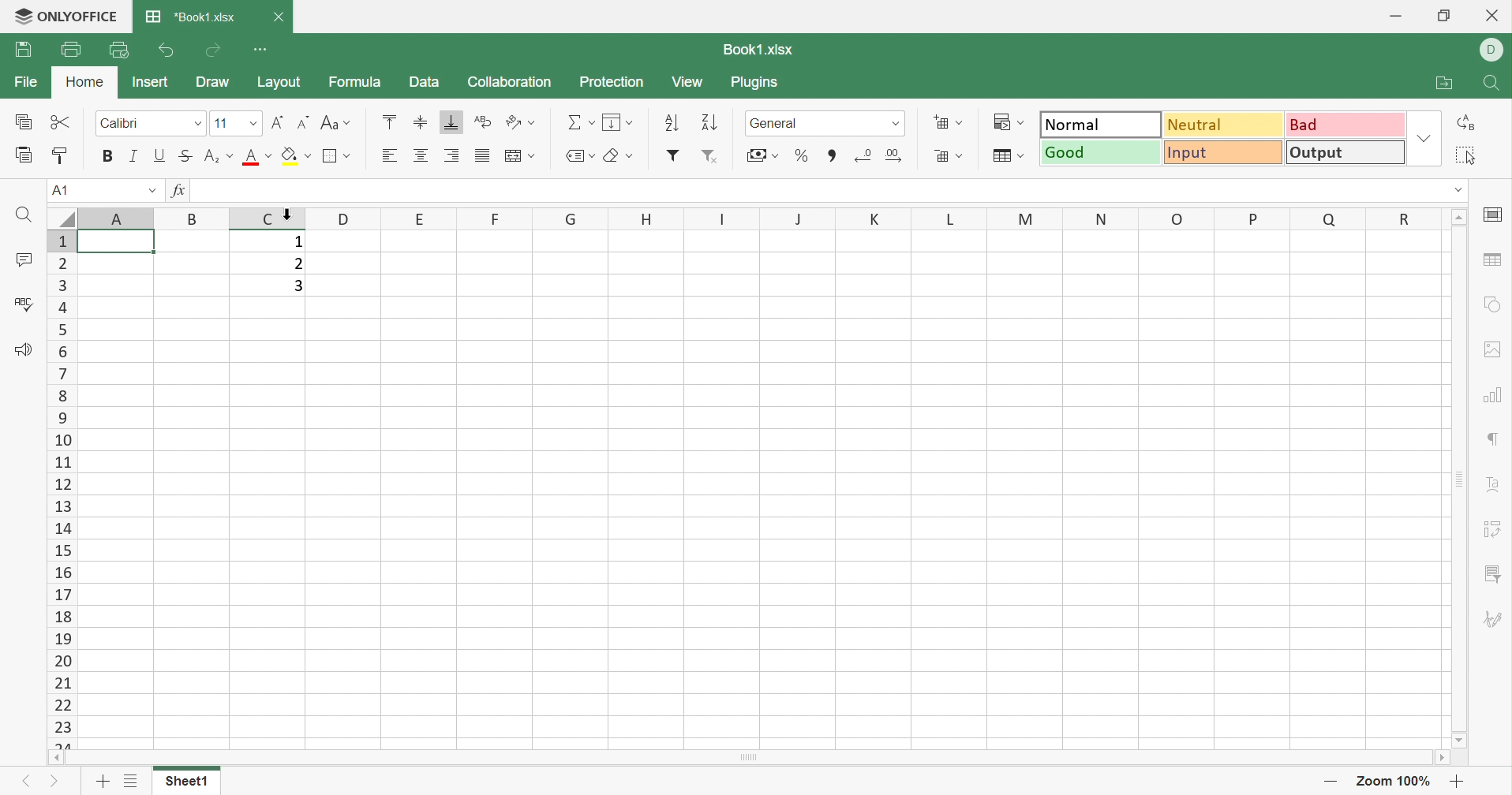  I want to click on Next, so click(54, 782).